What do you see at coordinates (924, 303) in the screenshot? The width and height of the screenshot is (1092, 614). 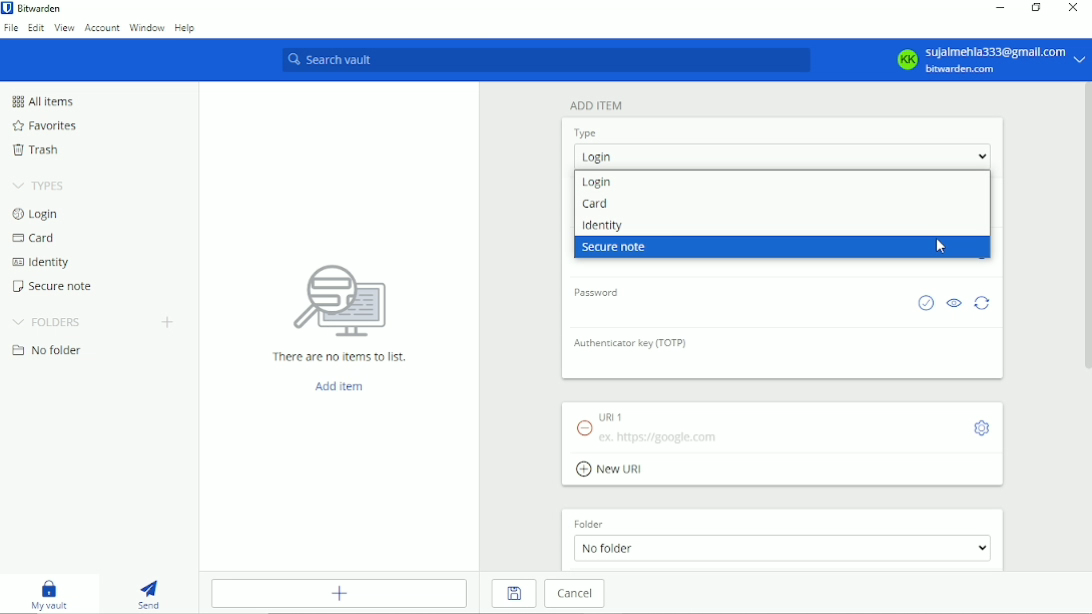 I see `Check if password has been exposed` at bounding box center [924, 303].